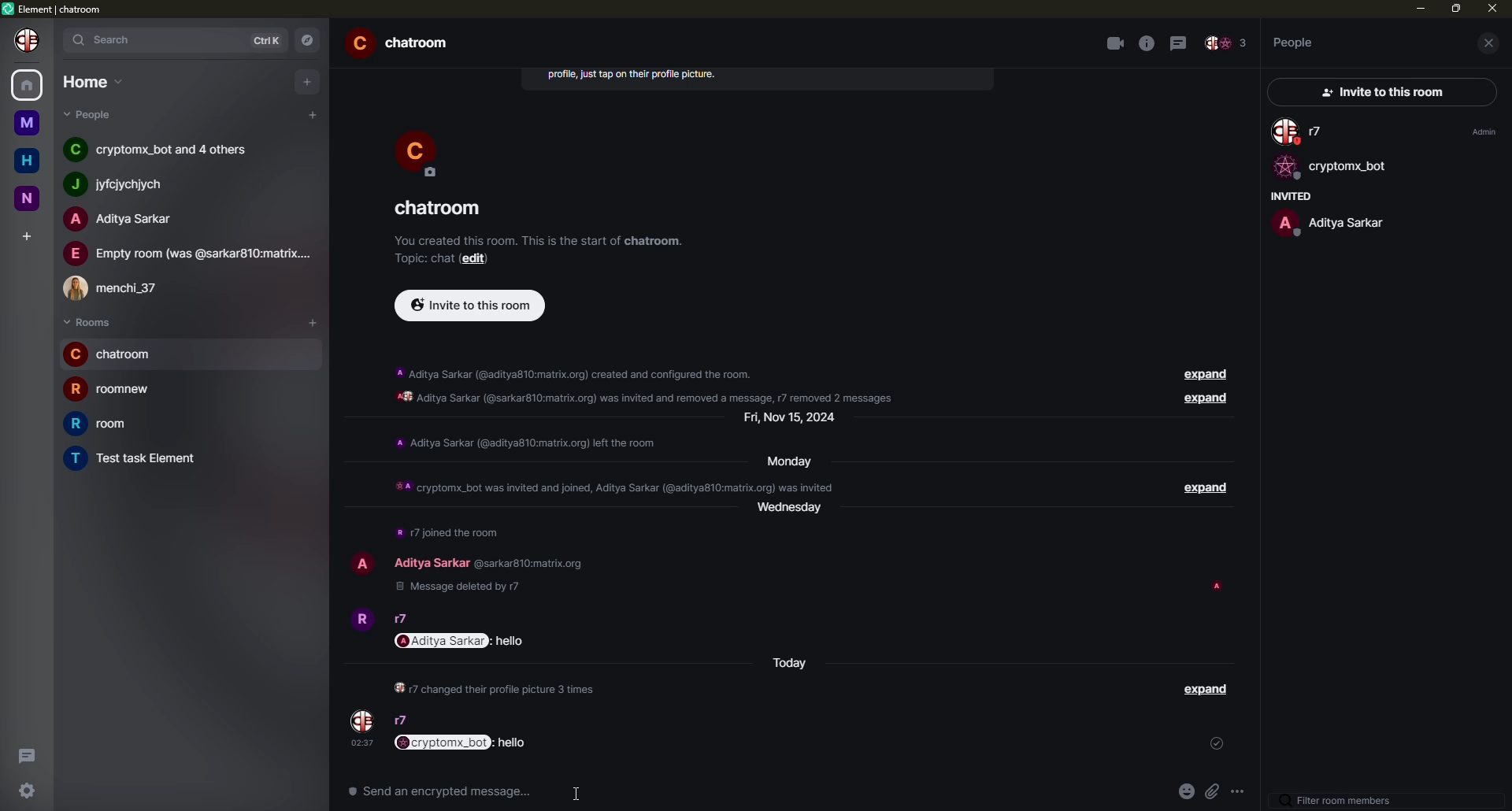  I want to click on day, so click(791, 417).